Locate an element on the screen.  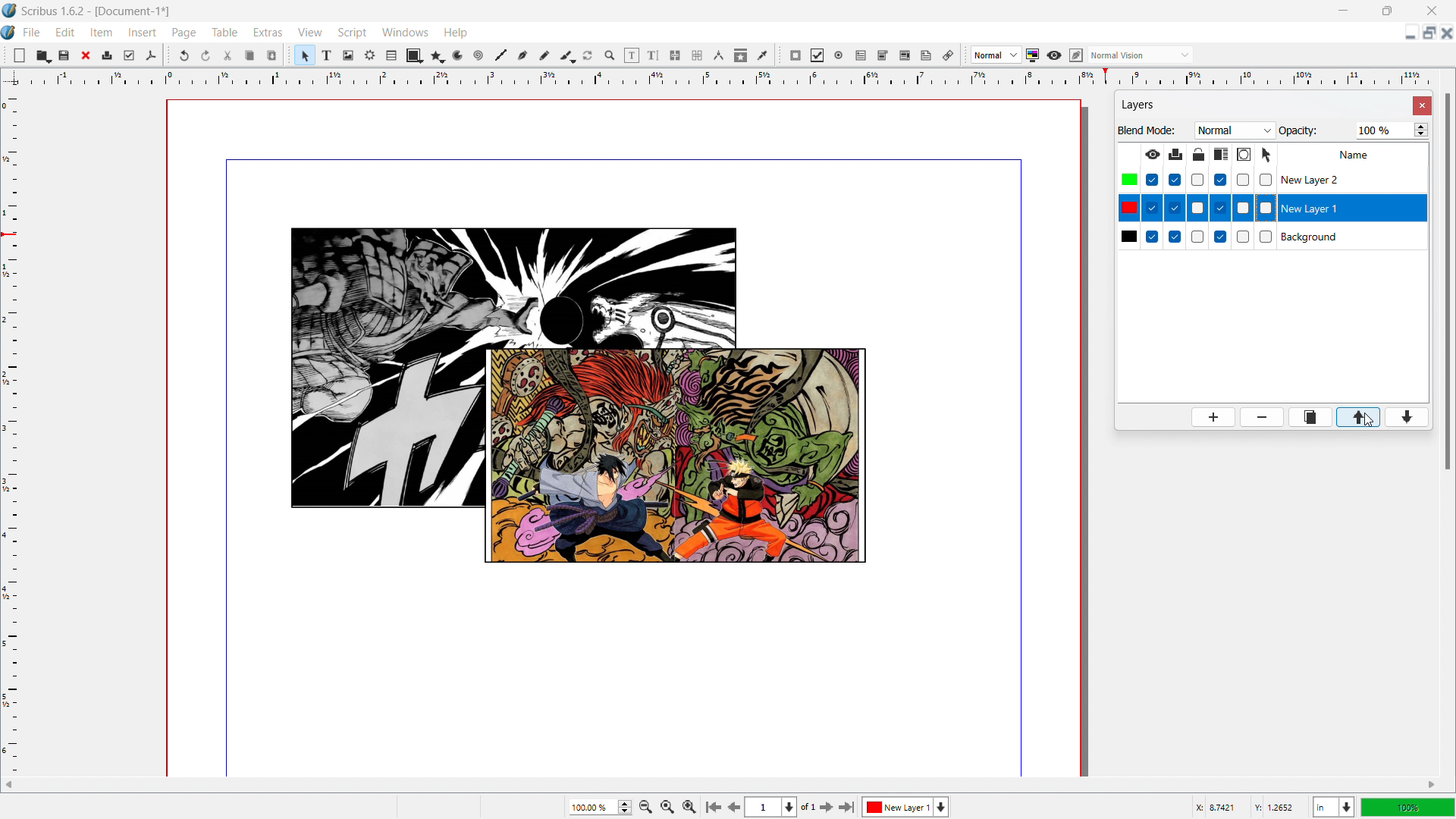
blend mode is located at coordinates (1235, 130).